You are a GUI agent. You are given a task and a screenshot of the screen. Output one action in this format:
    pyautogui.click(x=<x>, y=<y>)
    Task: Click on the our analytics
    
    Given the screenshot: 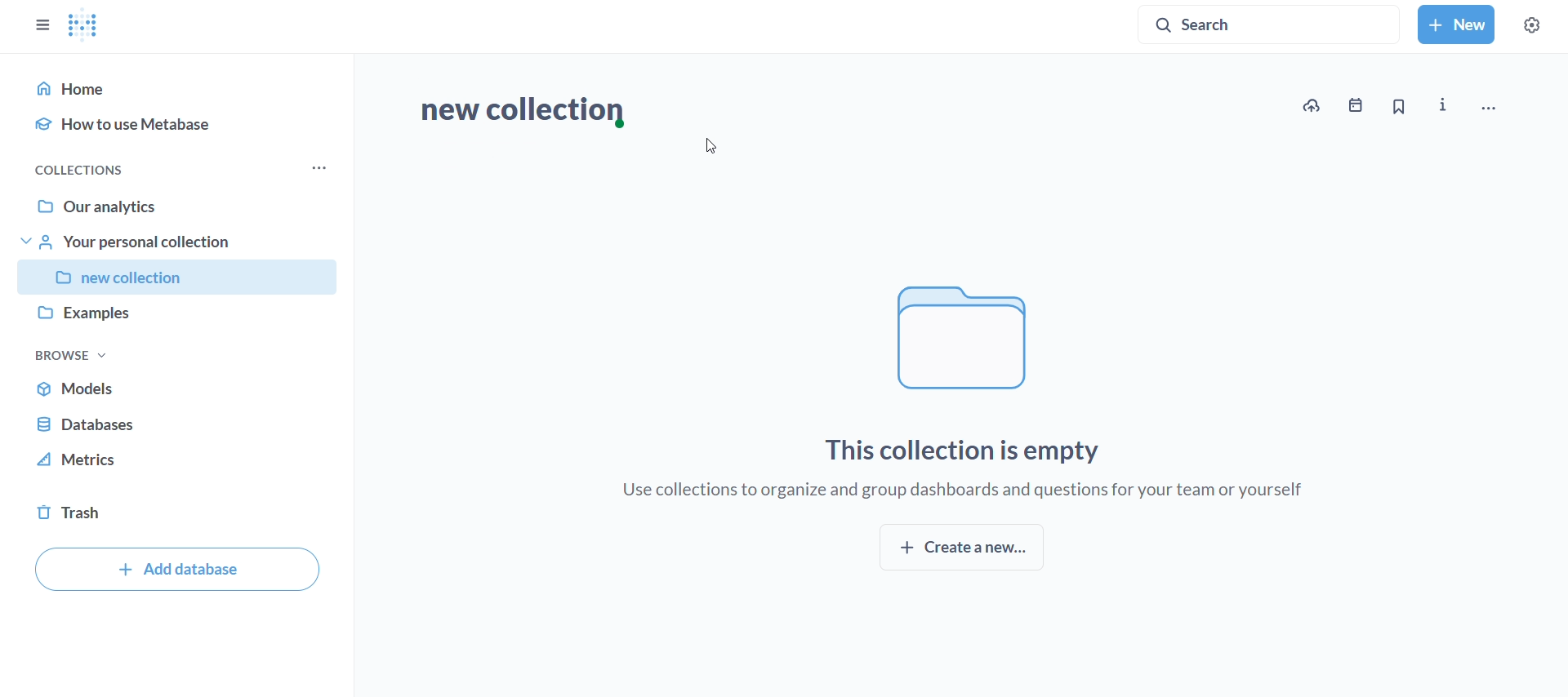 What is the action you would take?
    pyautogui.click(x=180, y=206)
    